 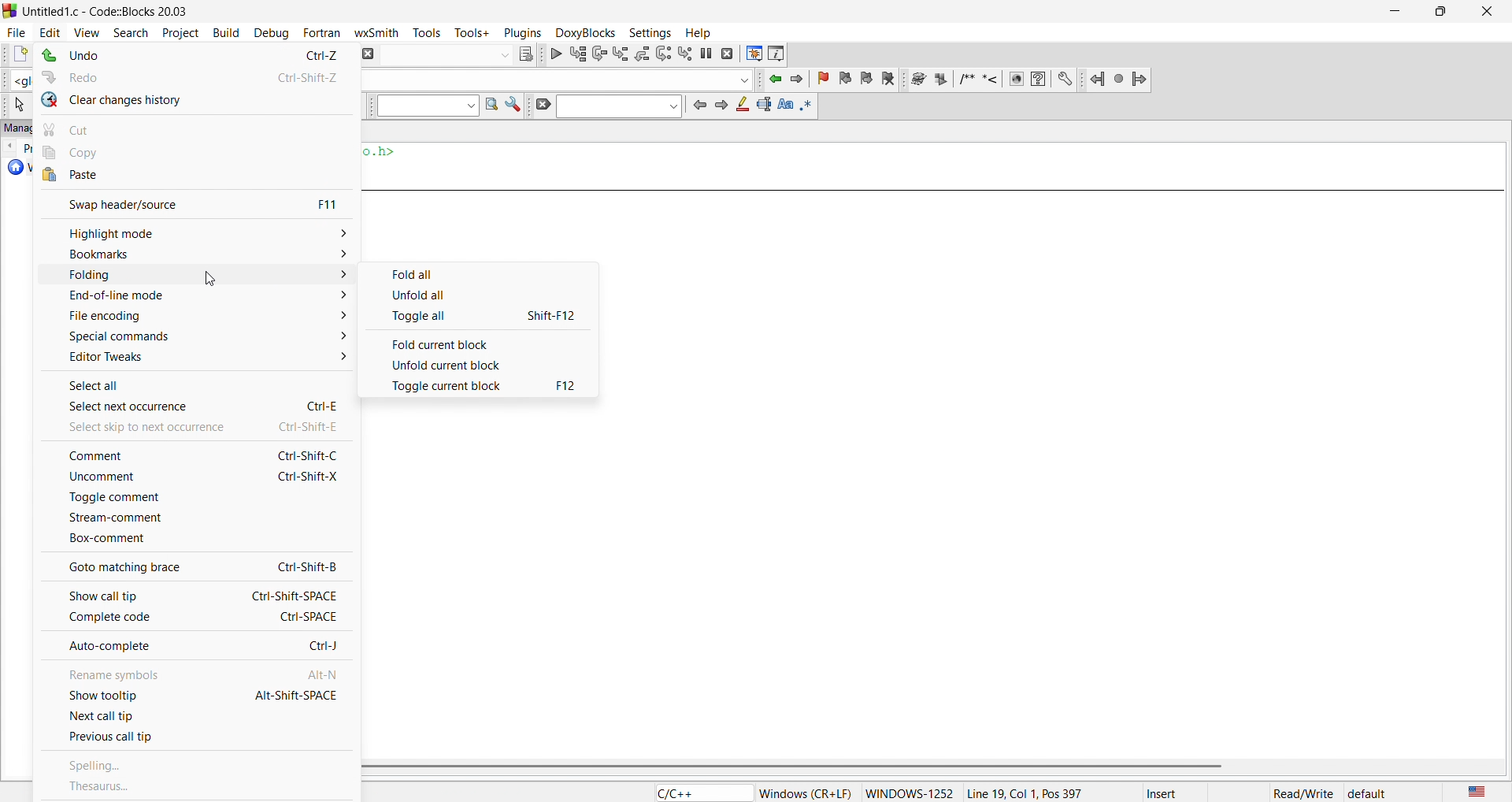 I want to click on settings, so click(x=1065, y=79).